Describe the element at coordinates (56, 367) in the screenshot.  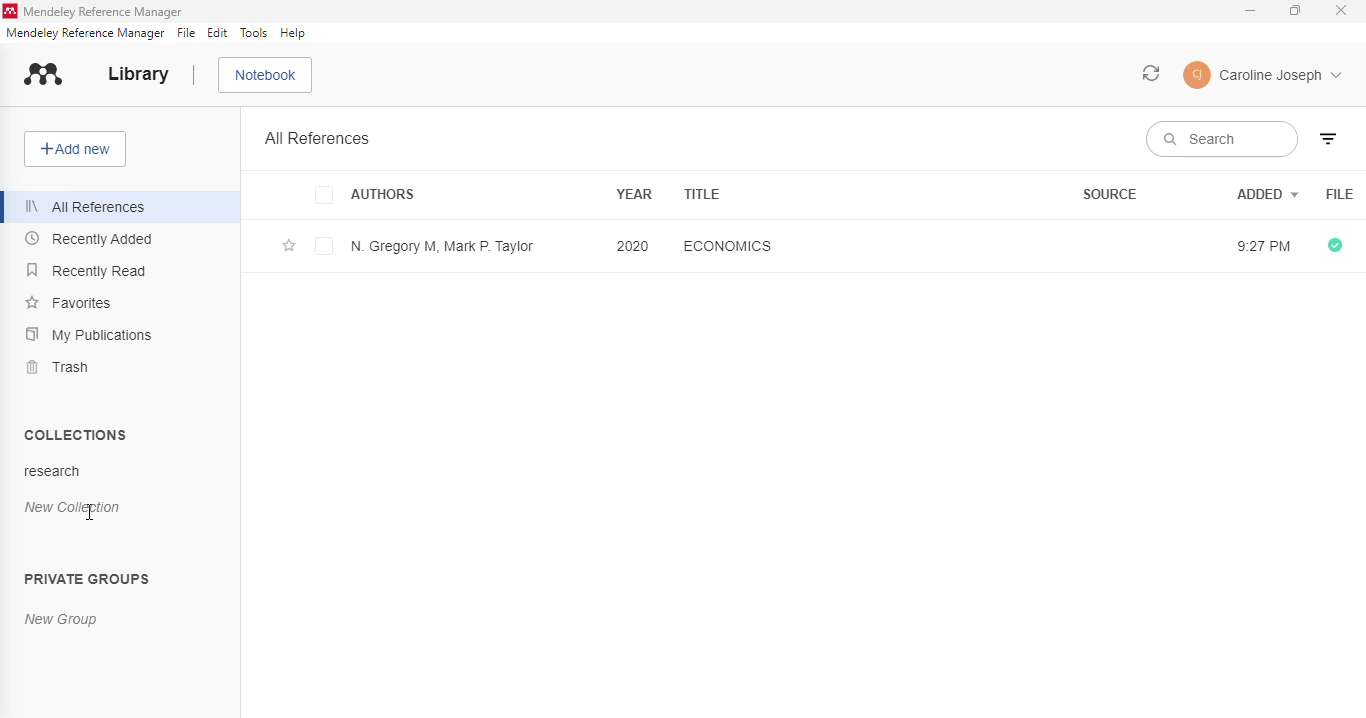
I see `trash` at that location.